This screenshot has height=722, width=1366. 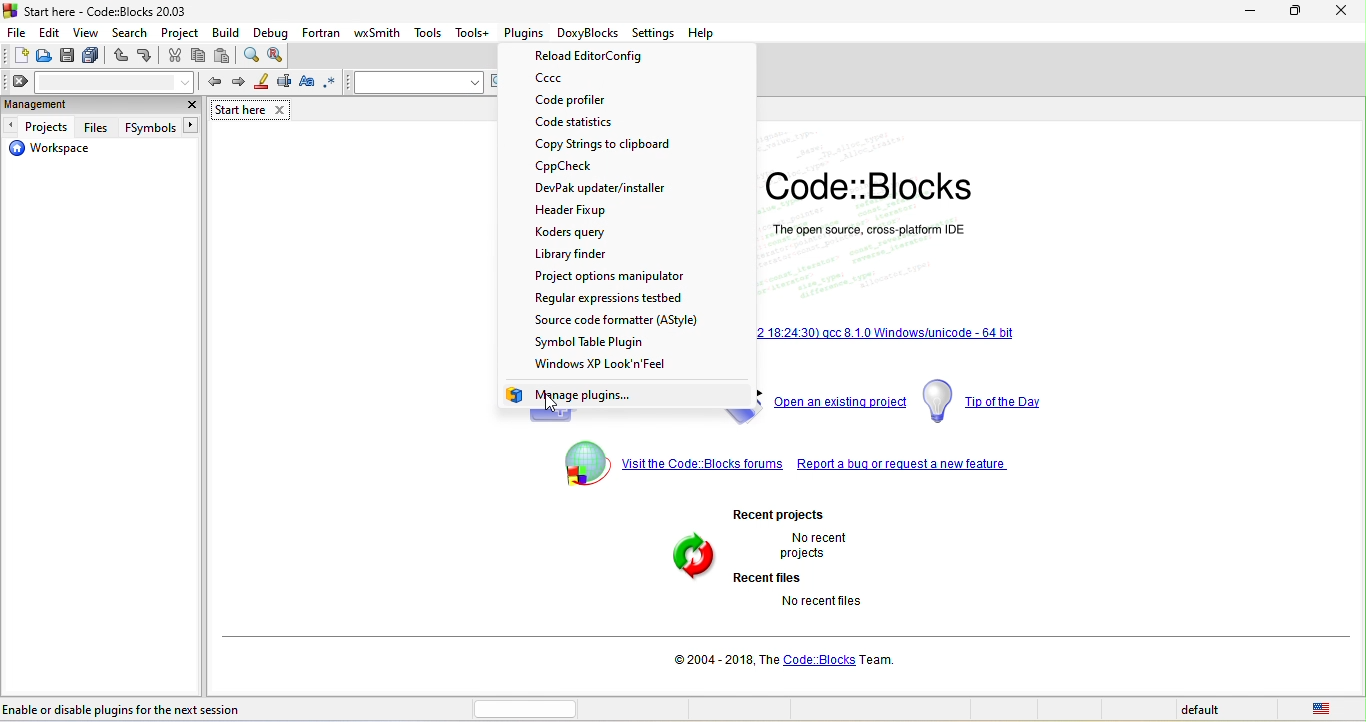 What do you see at coordinates (307, 83) in the screenshot?
I see `match case` at bounding box center [307, 83].